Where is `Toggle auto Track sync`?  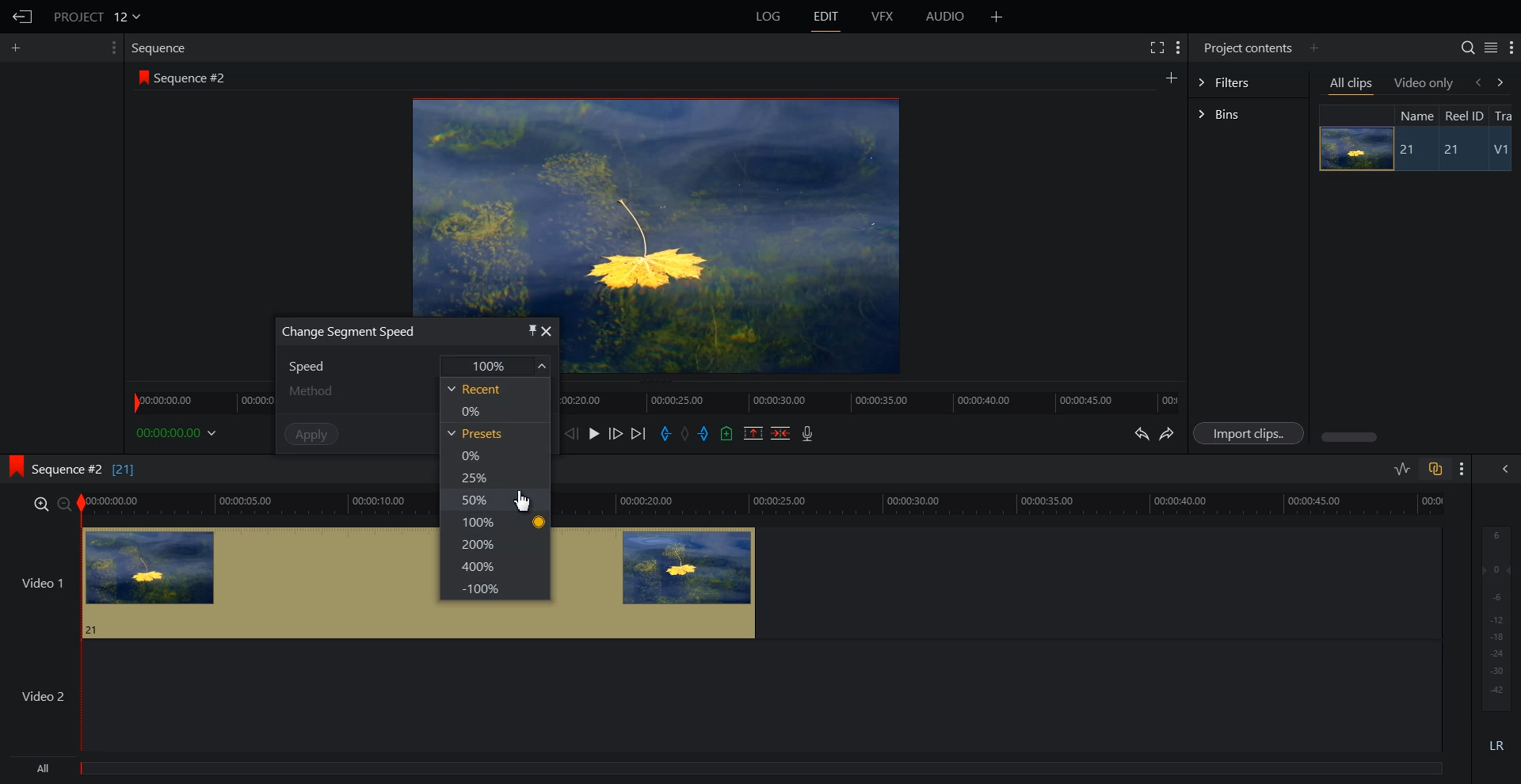
Toggle auto Track sync is located at coordinates (1435, 469).